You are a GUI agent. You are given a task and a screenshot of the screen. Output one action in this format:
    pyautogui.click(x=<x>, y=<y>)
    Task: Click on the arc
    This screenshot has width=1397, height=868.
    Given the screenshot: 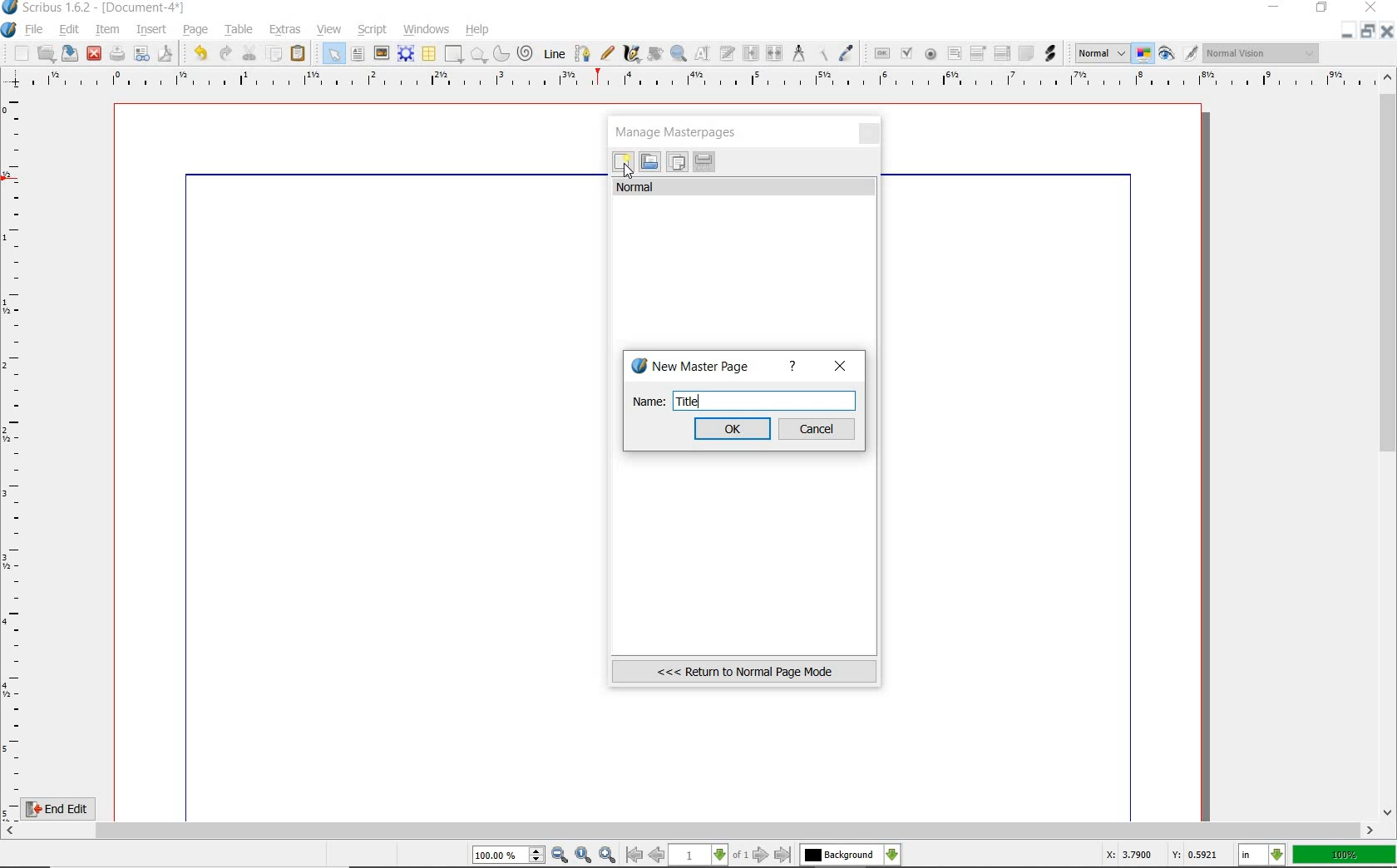 What is the action you would take?
    pyautogui.click(x=500, y=53)
    